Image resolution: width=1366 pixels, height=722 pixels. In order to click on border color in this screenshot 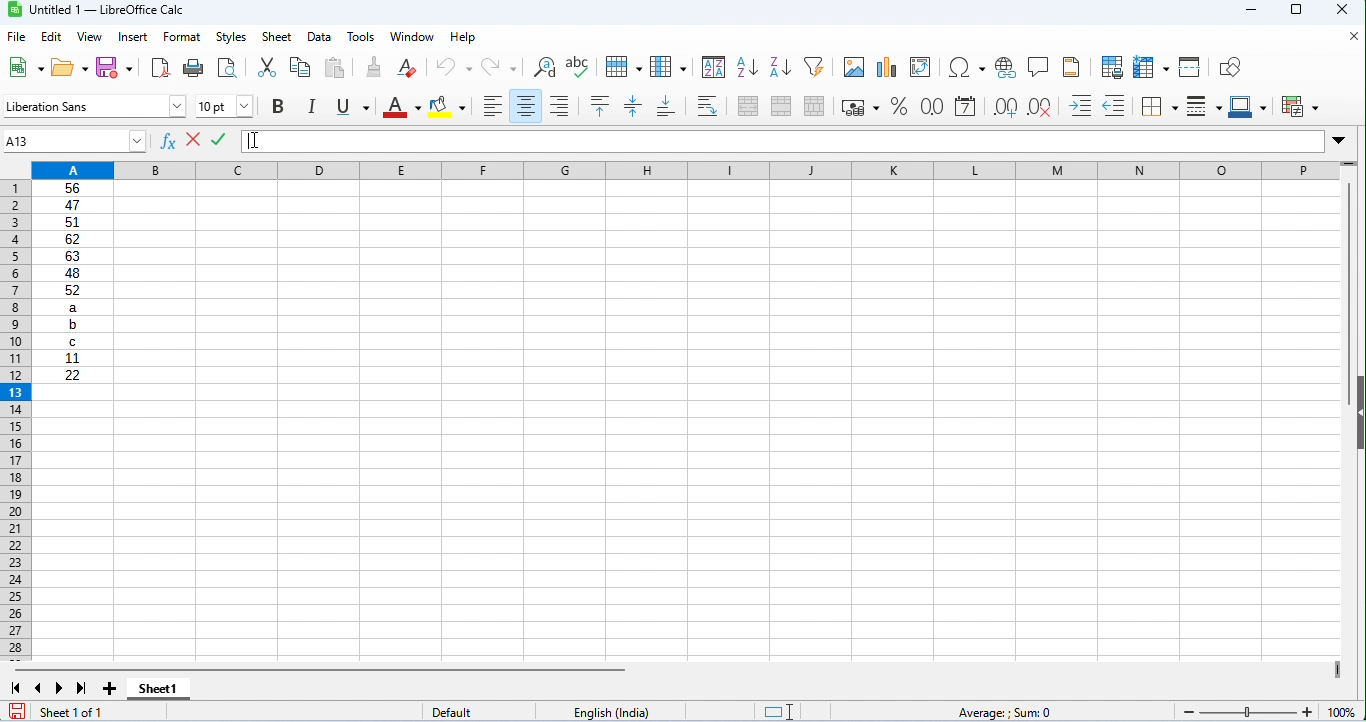, I will do `click(1247, 106)`.